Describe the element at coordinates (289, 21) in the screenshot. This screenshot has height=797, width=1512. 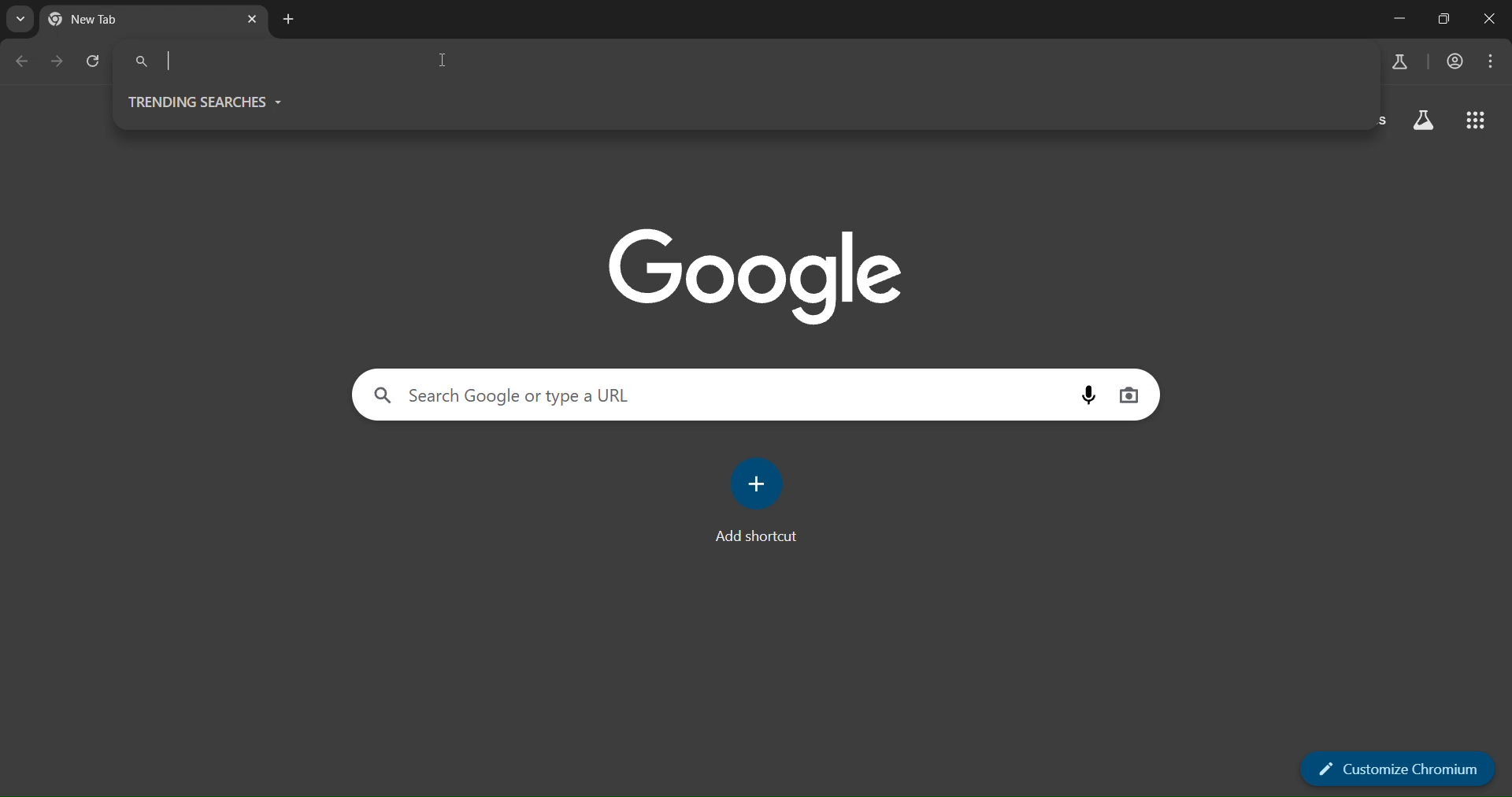
I see `new tab` at that location.